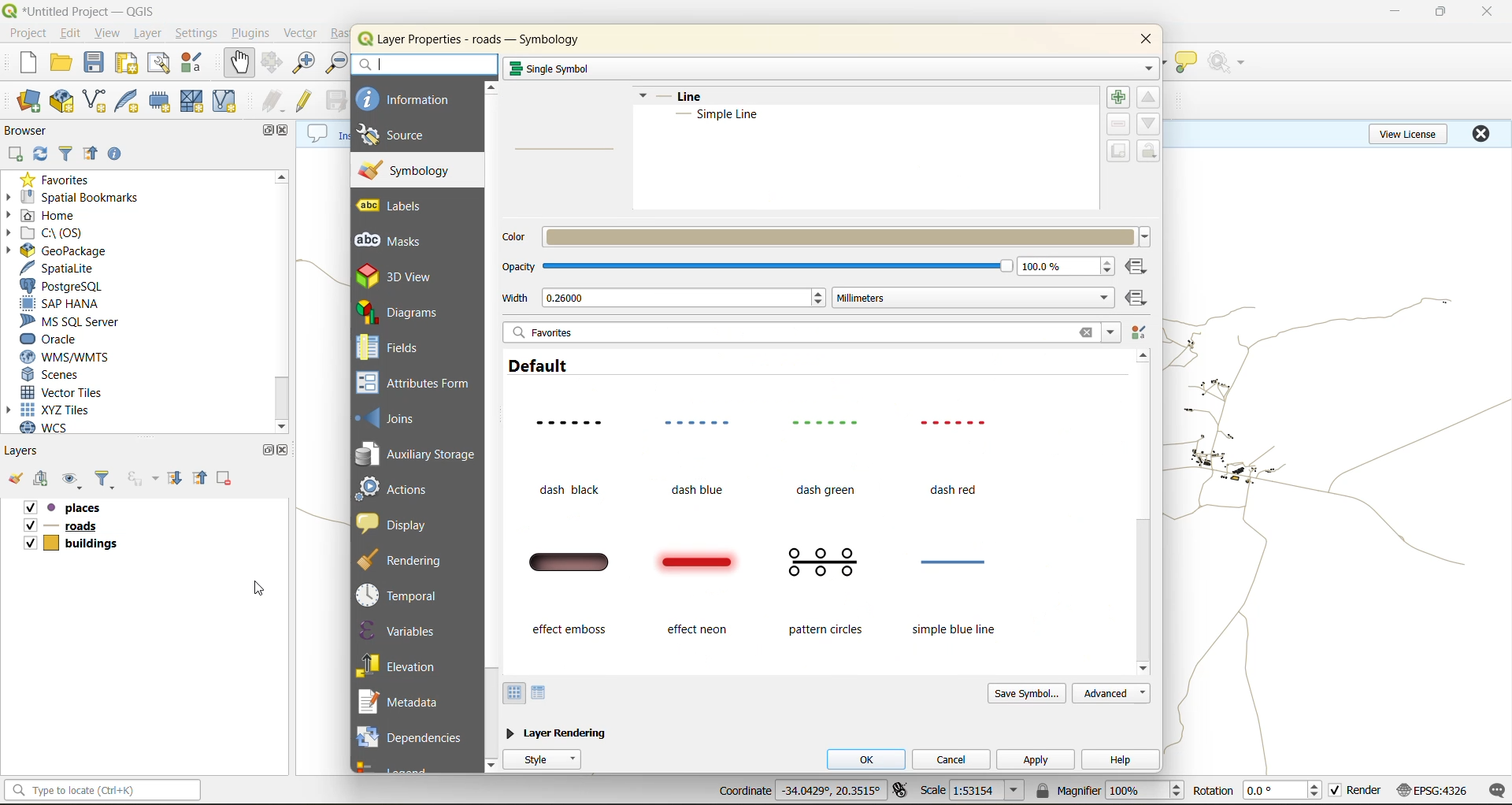 This screenshot has width=1512, height=805. I want to click on toggle edits, so click(306, 99).